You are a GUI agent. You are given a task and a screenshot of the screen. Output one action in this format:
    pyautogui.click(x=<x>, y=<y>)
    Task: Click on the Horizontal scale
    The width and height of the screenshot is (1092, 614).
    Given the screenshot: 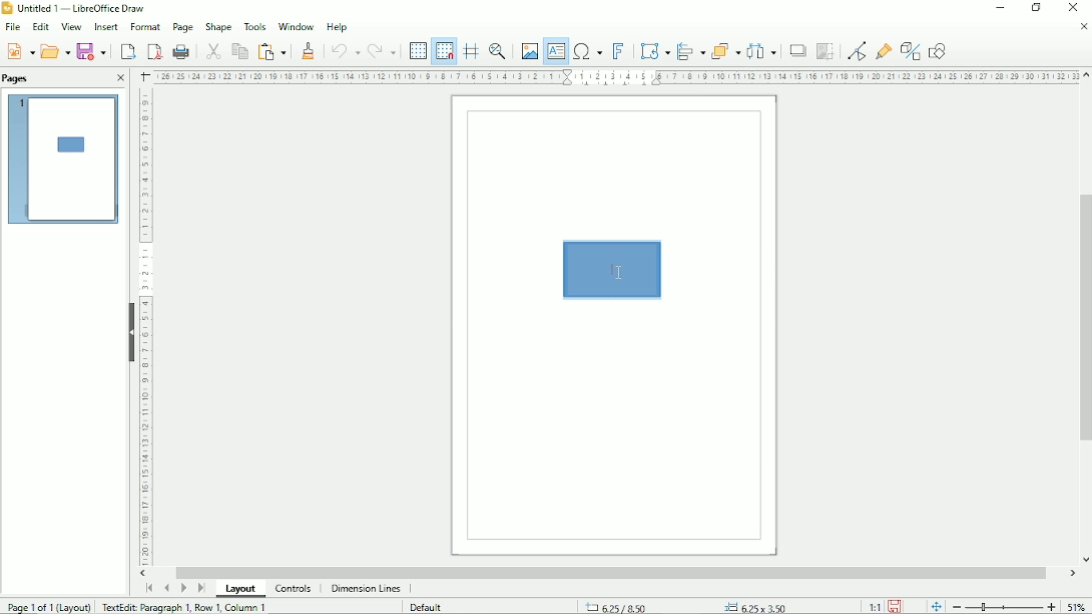 What is the action you would take?
    pyautogui.click(x=145, y=329)
    